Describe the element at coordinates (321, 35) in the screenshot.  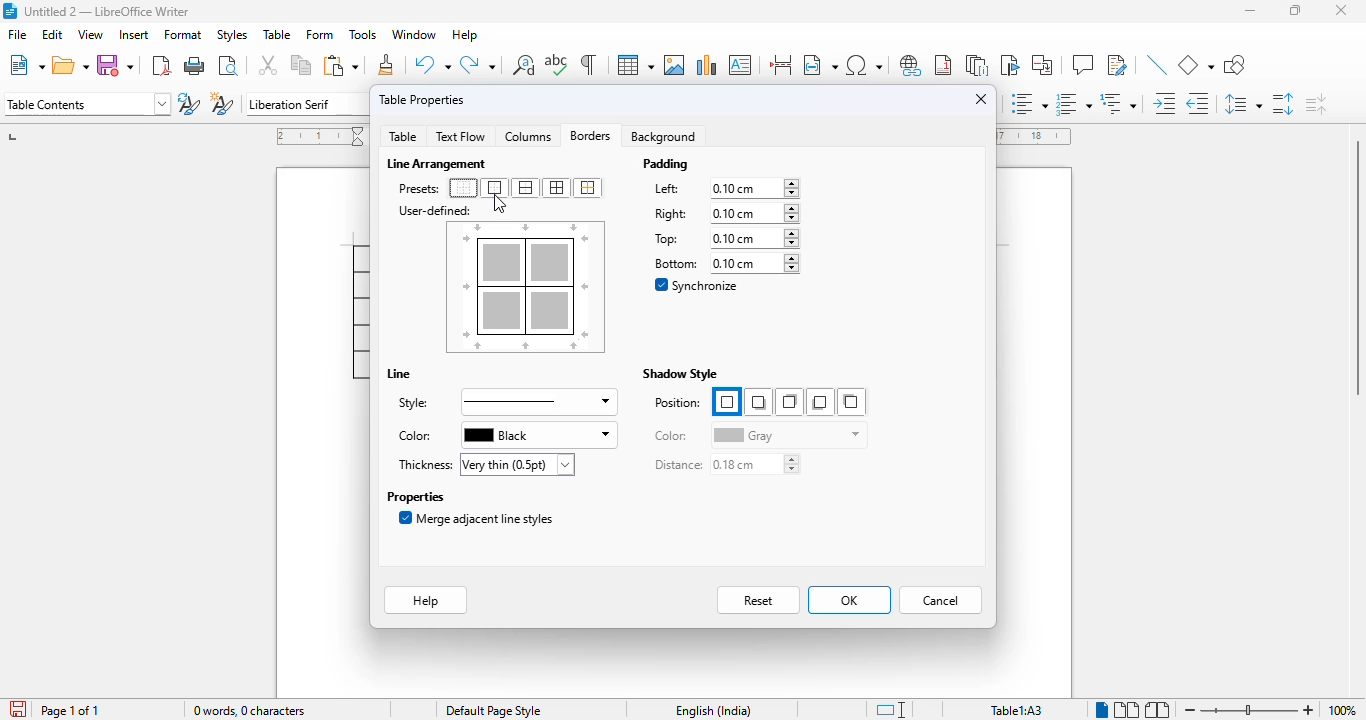
I see `form` at that location.